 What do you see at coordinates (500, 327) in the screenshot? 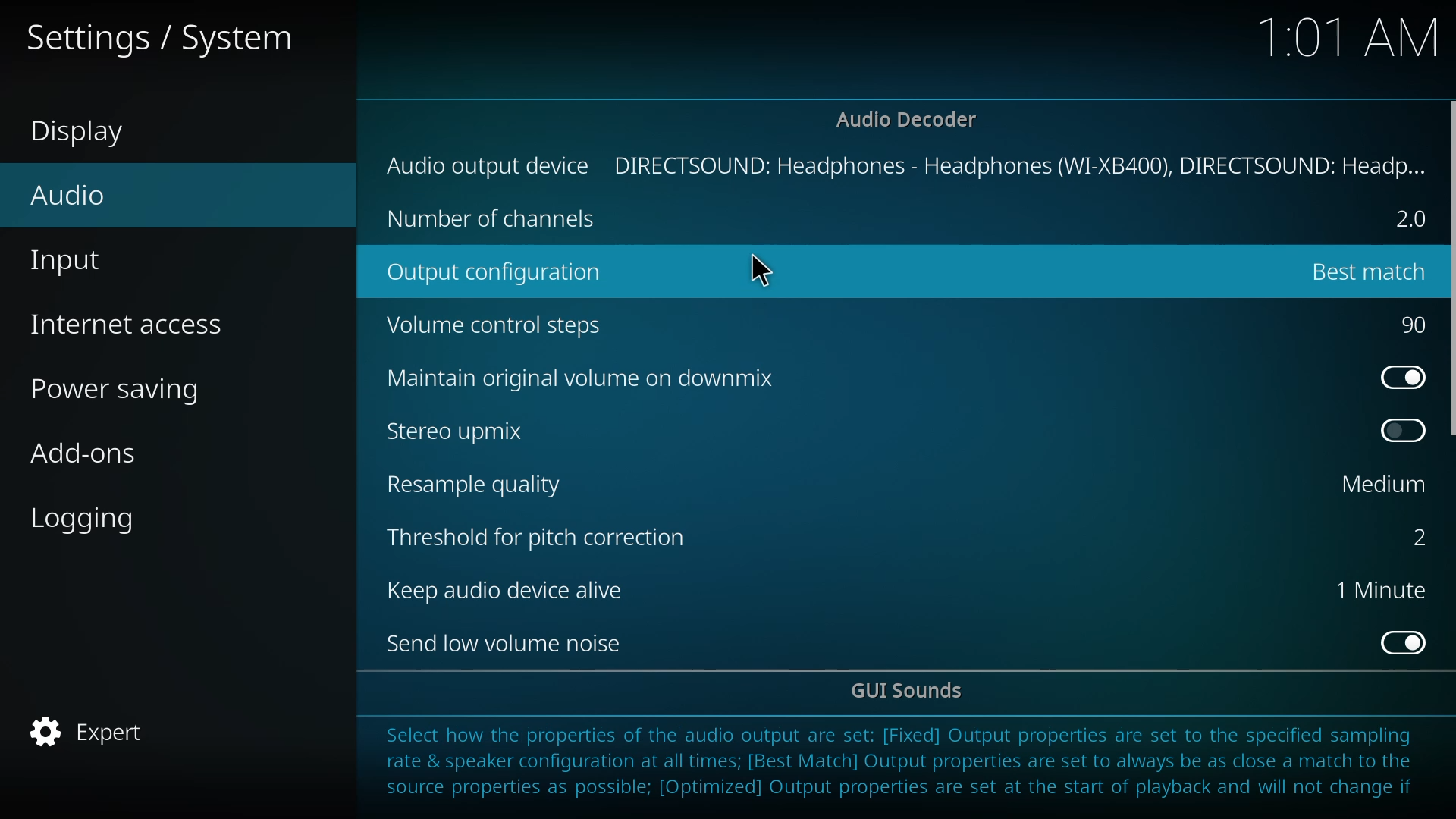
I see `volume control steps` at bounding box center [500, 327].